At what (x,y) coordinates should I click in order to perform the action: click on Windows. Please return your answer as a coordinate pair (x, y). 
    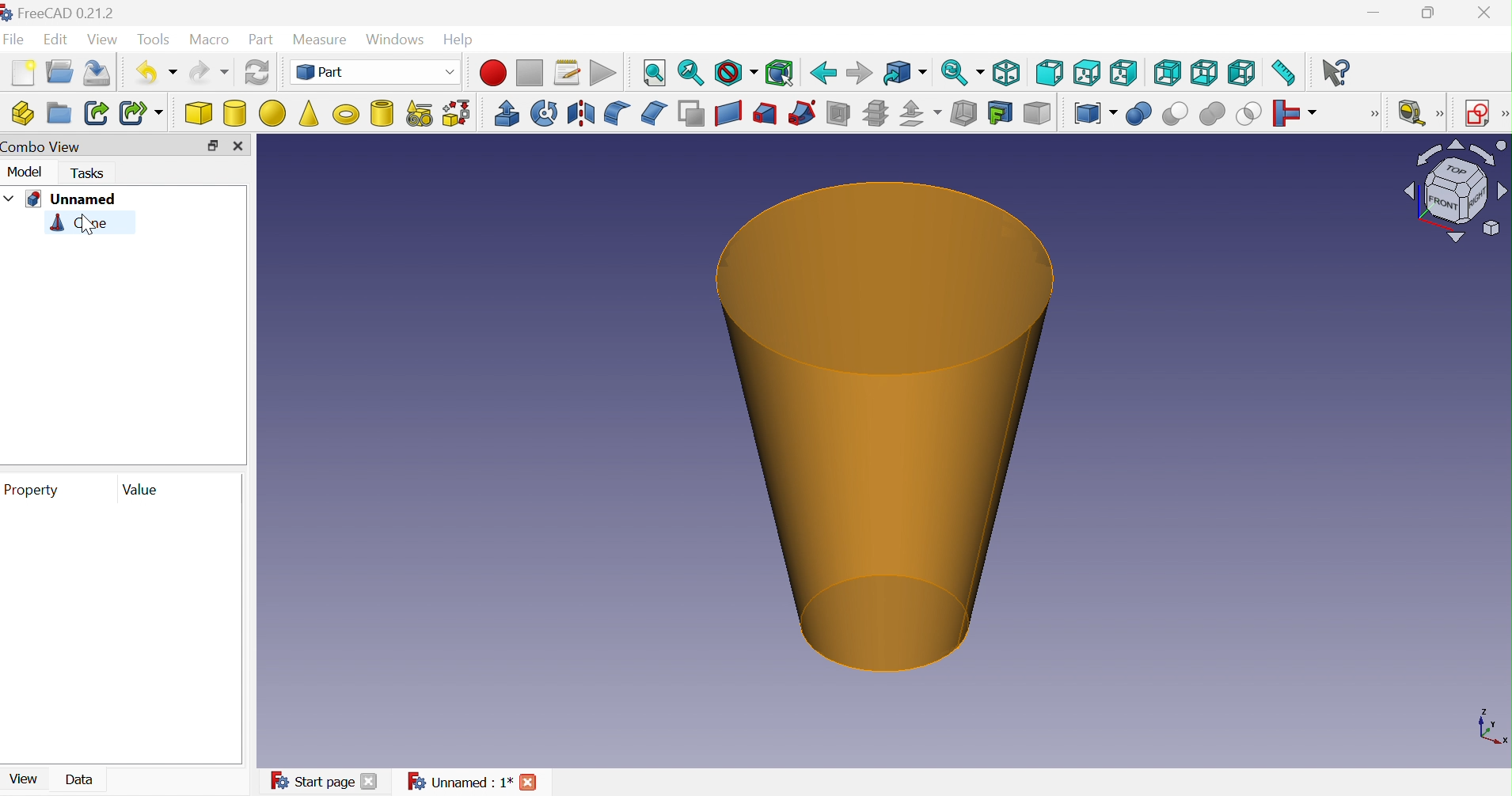
    Looking at the image, I should click on (396, 38).